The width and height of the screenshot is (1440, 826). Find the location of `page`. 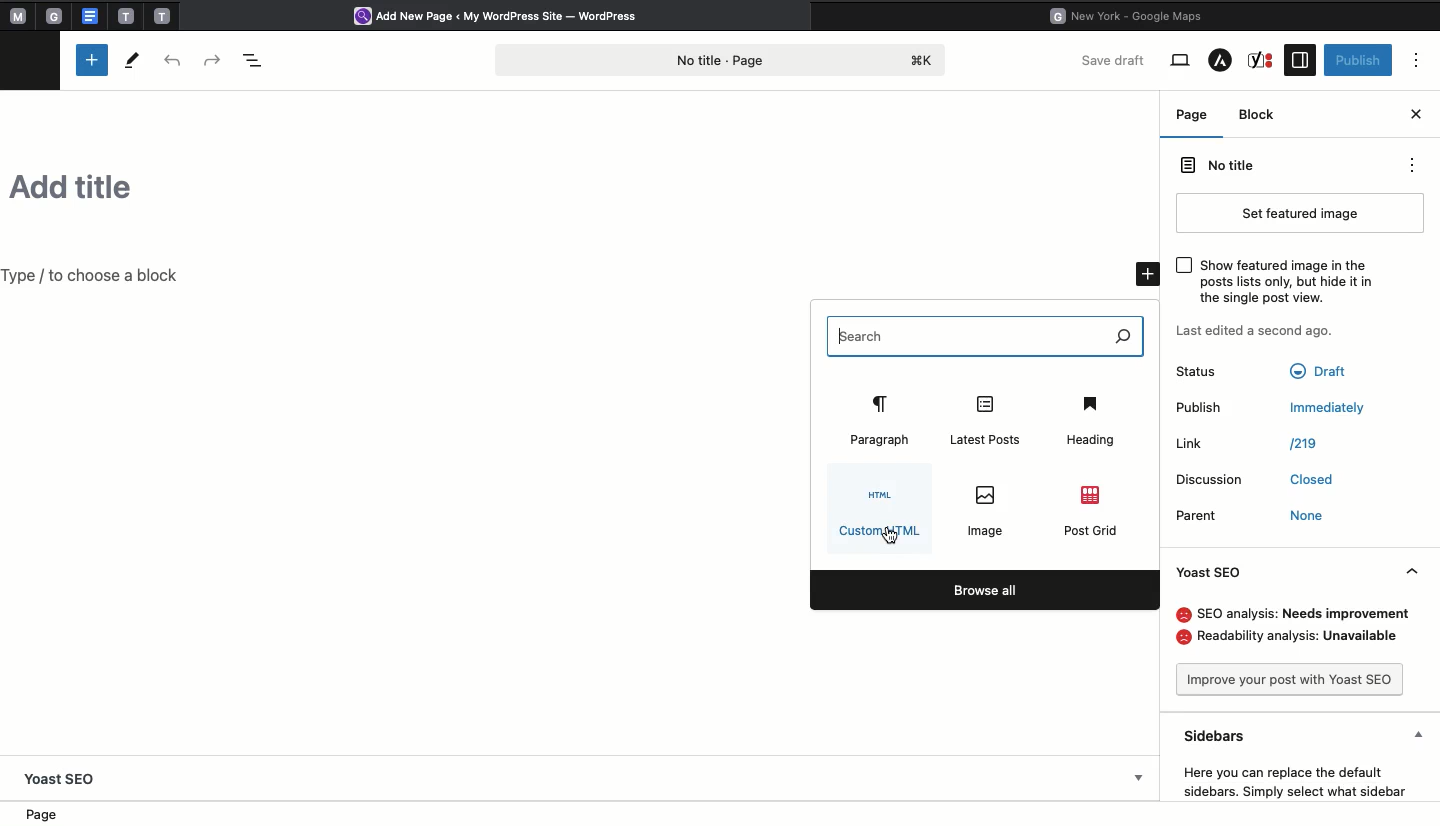

page is located at coordinates (47, 815).